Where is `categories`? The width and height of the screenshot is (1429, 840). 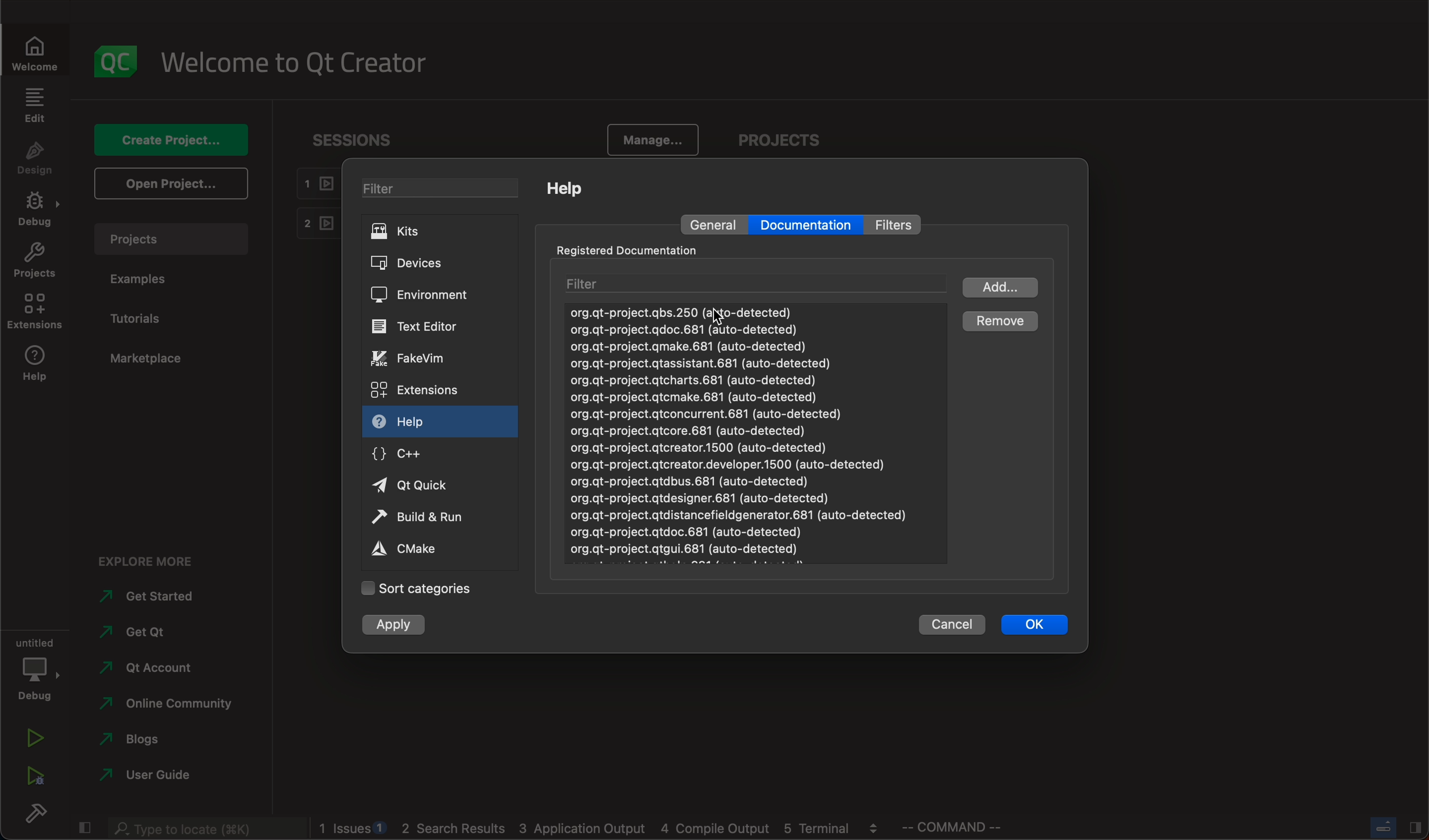 categories is located at coordinates (420, 590).